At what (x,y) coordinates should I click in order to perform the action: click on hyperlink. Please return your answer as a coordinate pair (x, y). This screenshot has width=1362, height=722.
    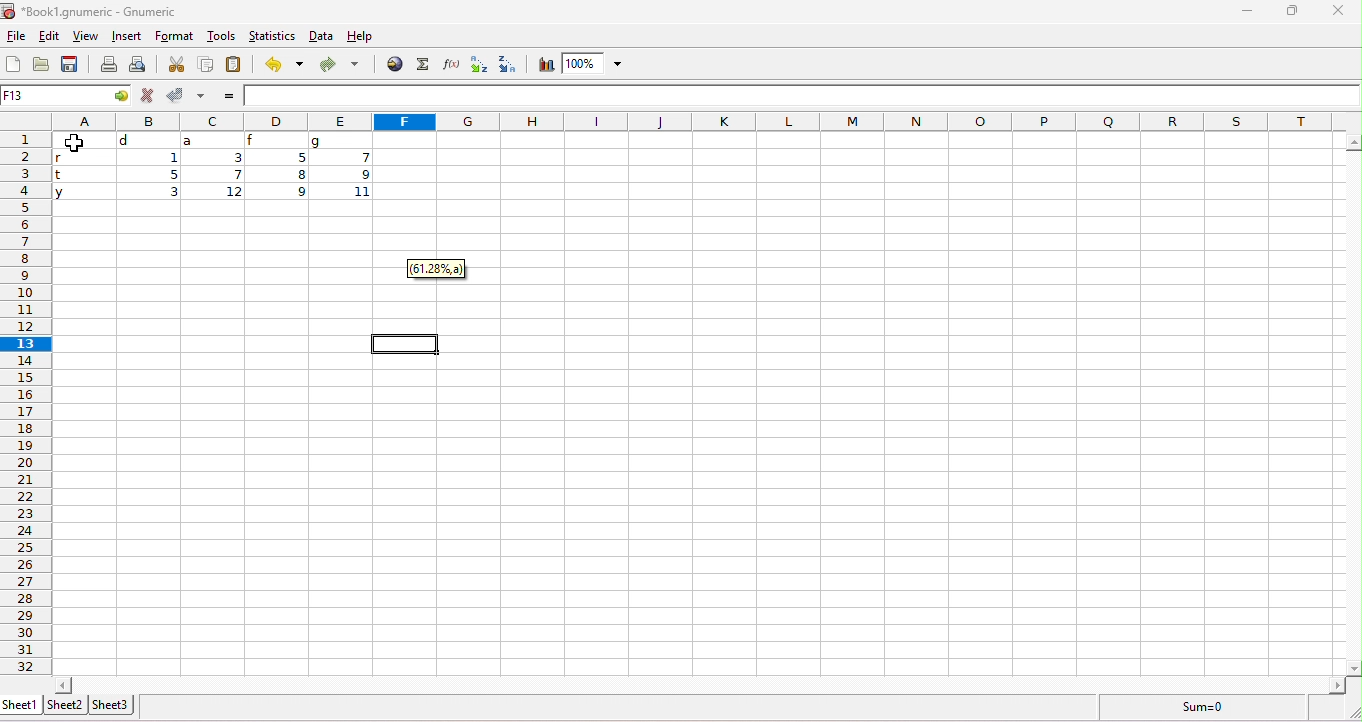
    Looking at the image, I should click on (392, 63).